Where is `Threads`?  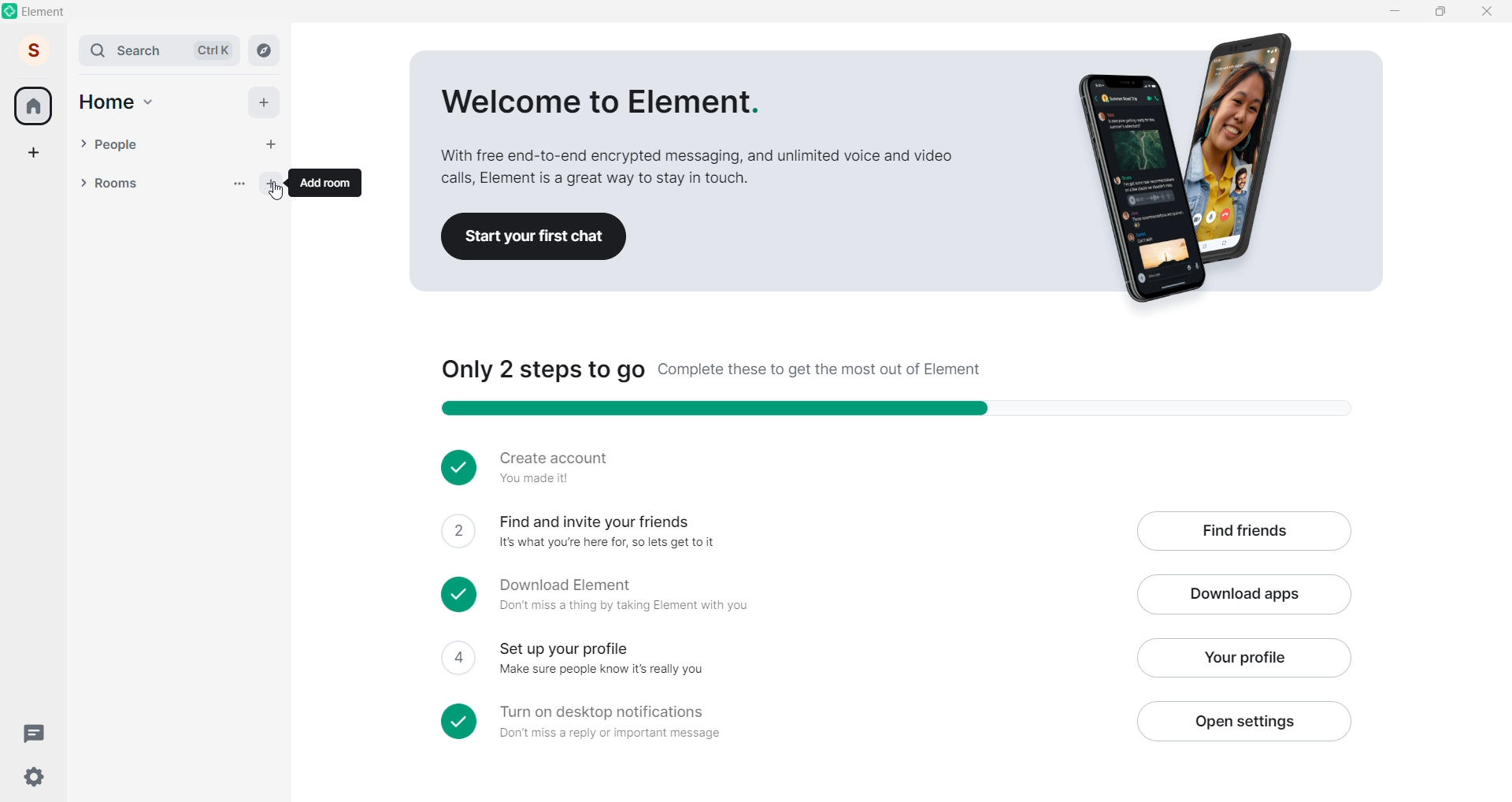 Threads is located at coordinates (37, 734).